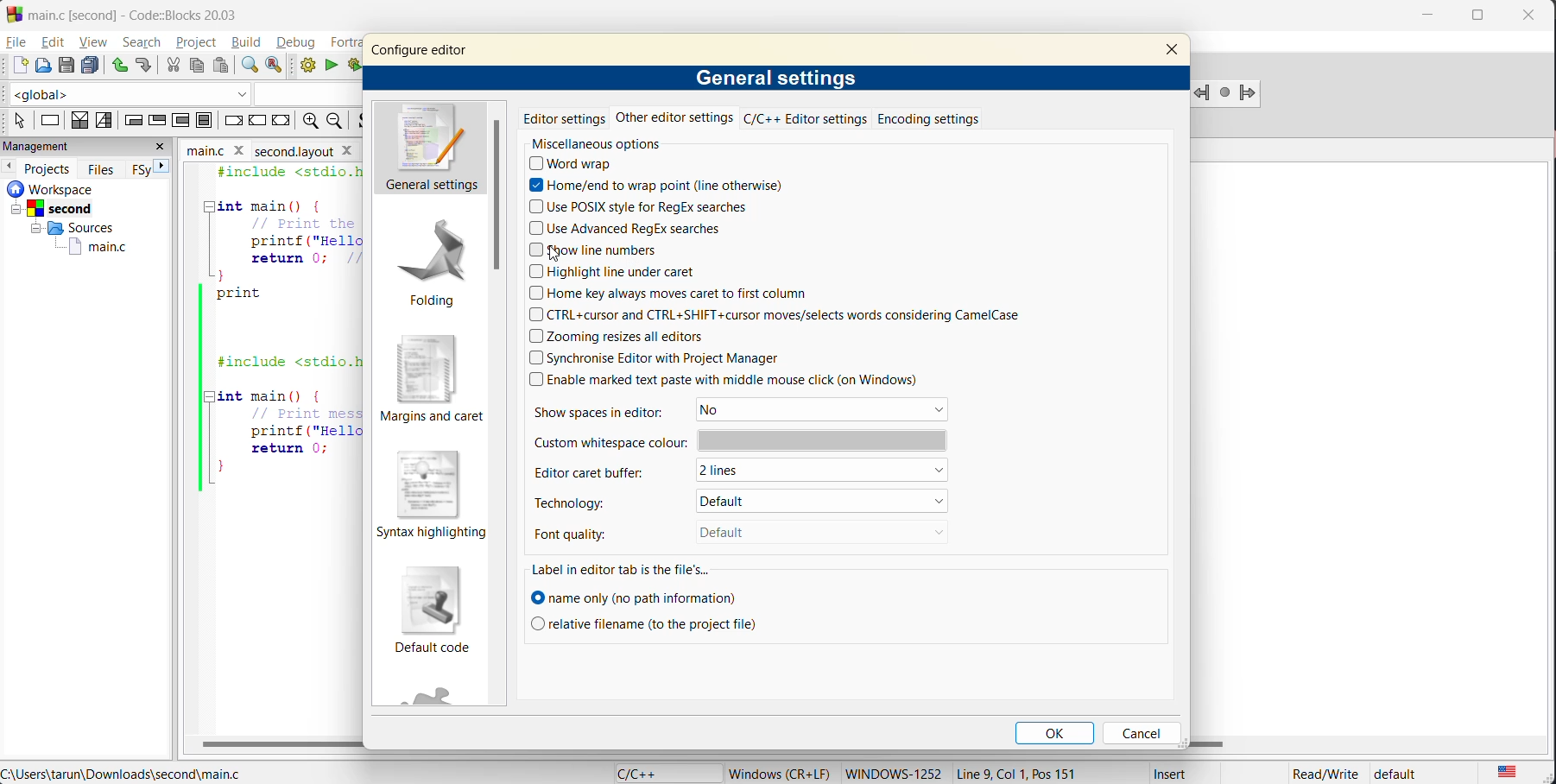 This screenshot has height=784, width=1556. Describe the element at coordinates (67, 206) in the screenshot. I see `Second` at that location.